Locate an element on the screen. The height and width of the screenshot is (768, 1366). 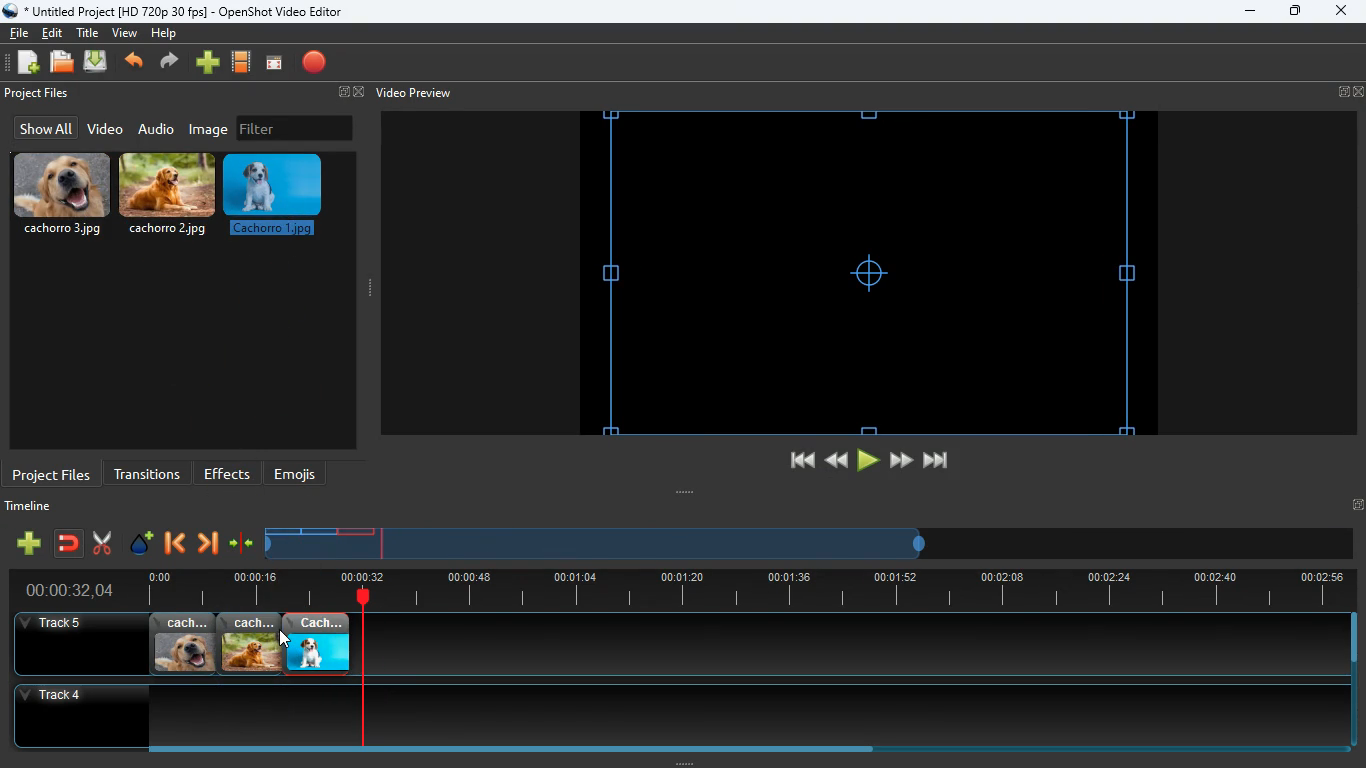
track is located at coordinates (824, 644).